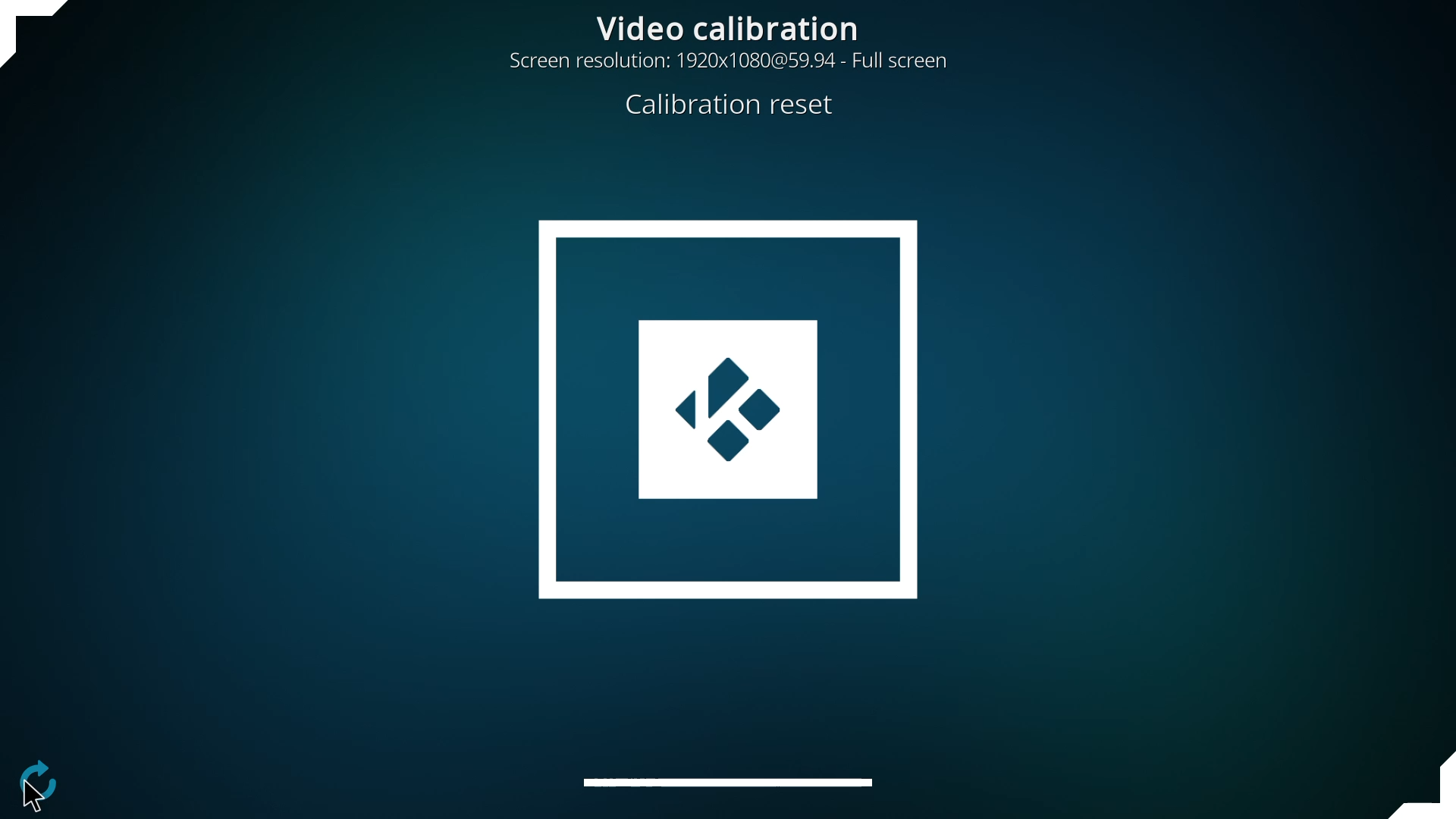 This screenshot has height=819, width=1456. What do you see at coordinates (739, 781) in the screenshot?
I see `adjust subtitles` at bounding box center [739, 781].